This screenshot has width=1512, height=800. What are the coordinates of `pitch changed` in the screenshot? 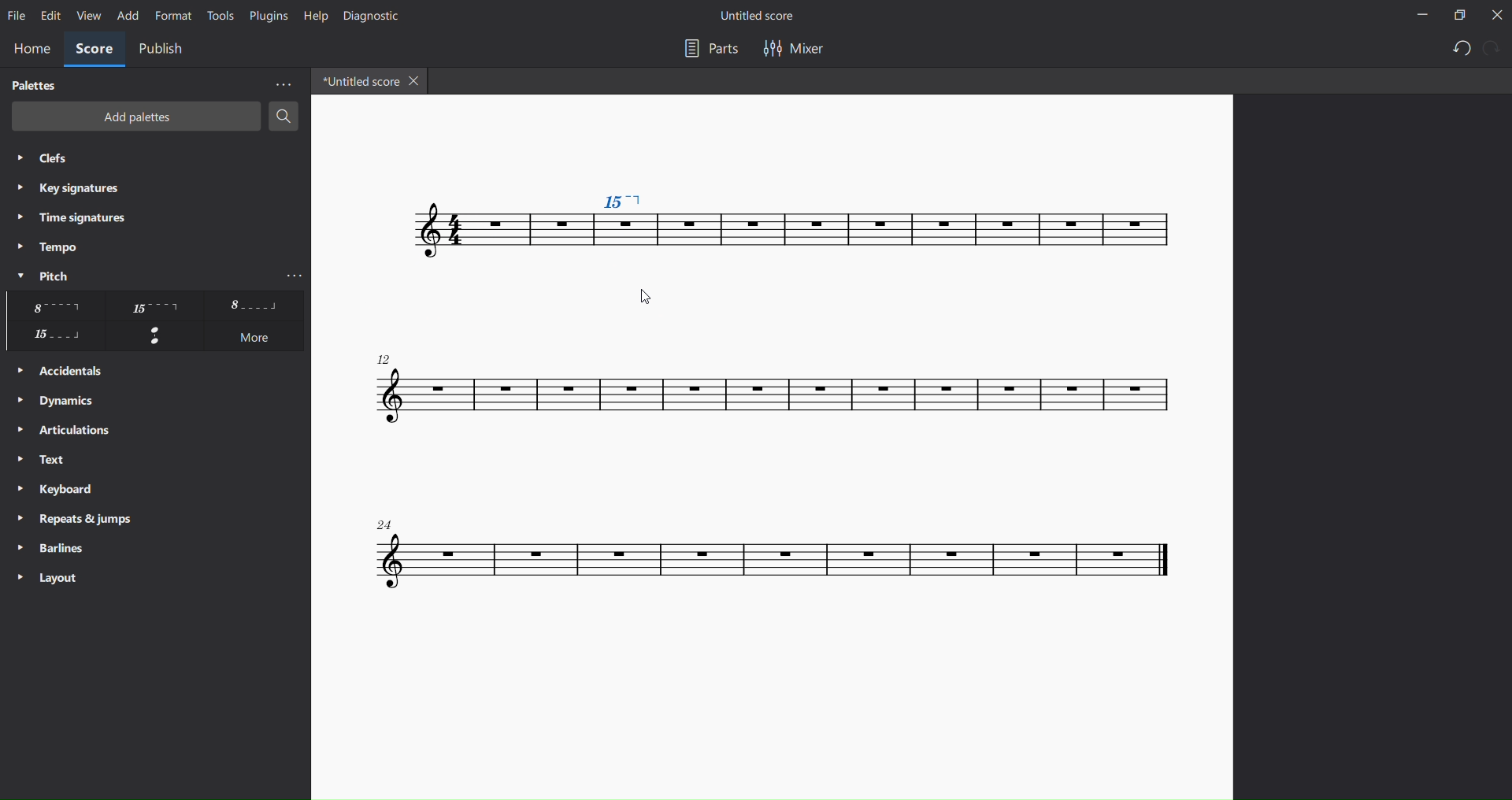 It's located at (628, 194).